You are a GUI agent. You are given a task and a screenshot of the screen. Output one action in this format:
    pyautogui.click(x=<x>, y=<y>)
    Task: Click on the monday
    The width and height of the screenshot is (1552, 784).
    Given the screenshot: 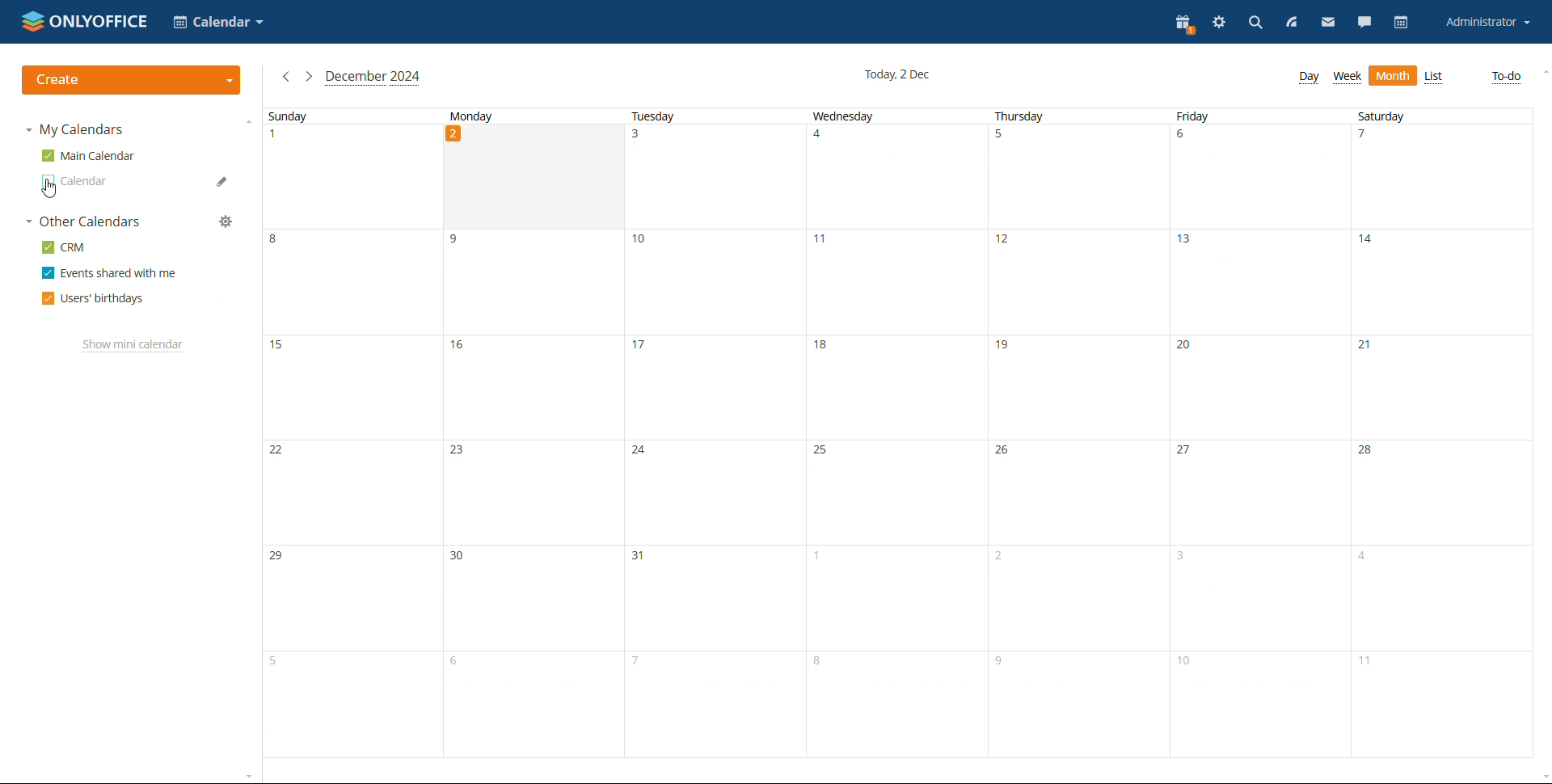 What is the action you would take?
    pyautogui.click(x=533, y=434)
    